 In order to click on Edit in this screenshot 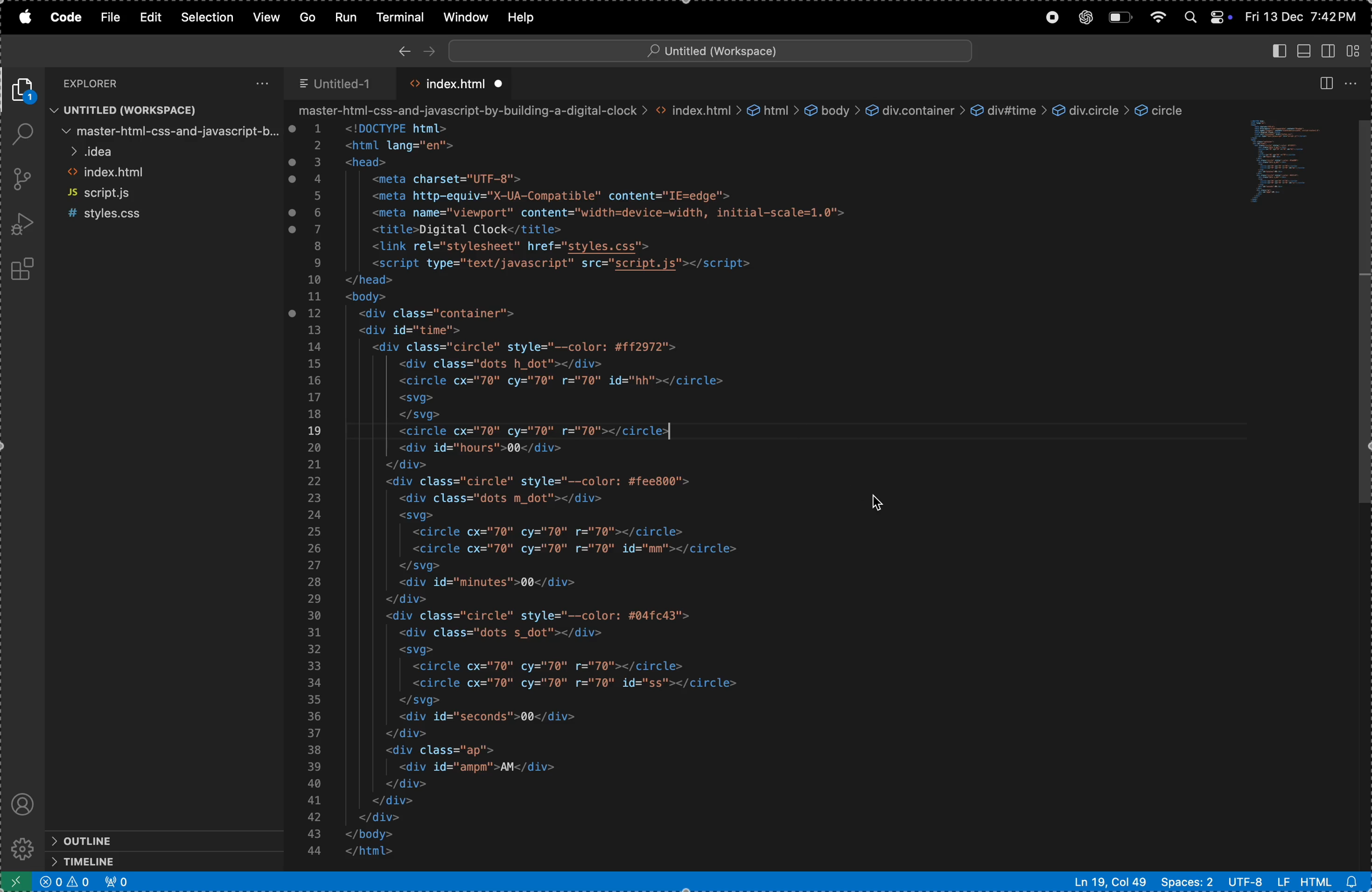, I will do `click(149, 17)`.